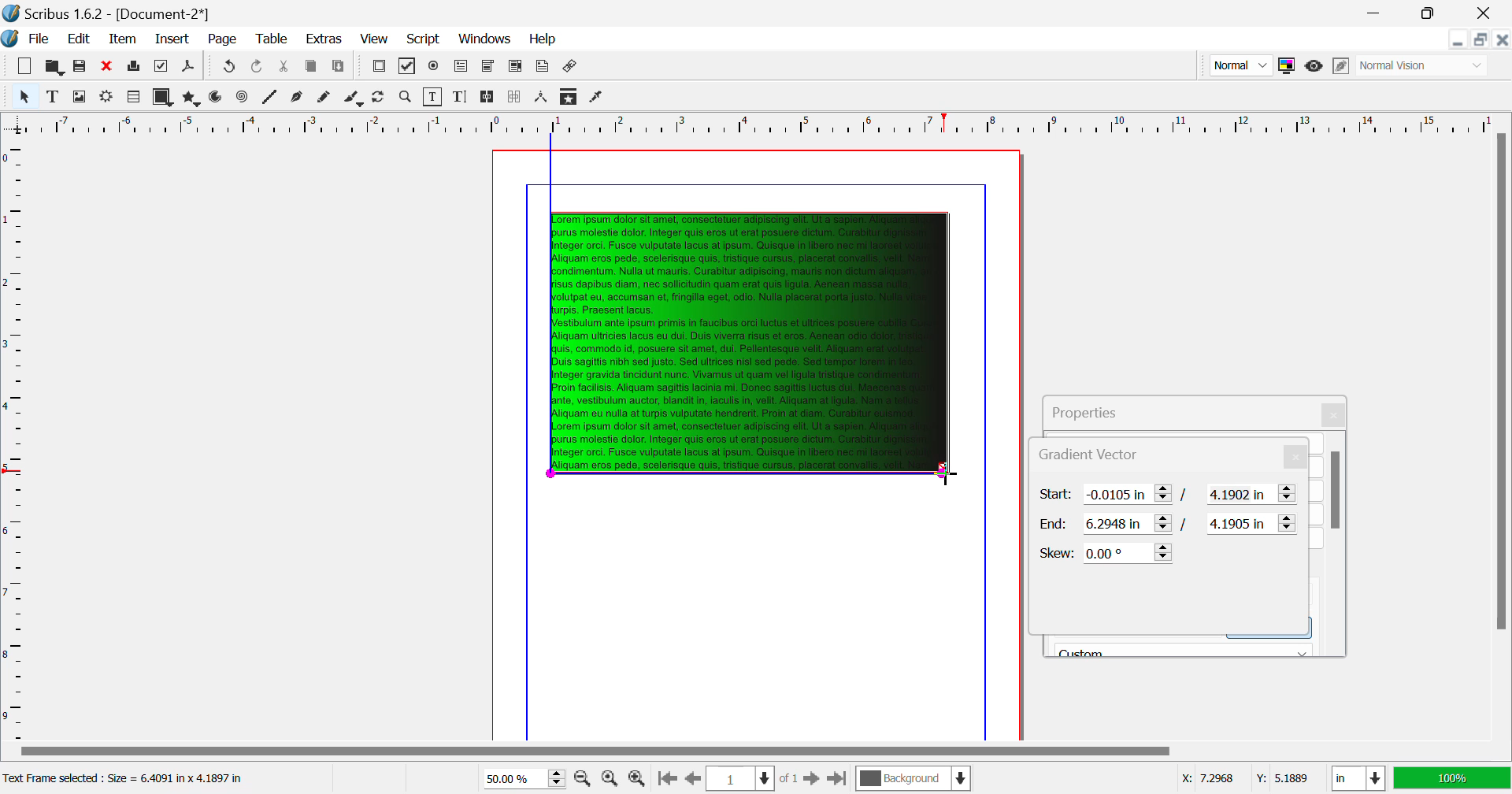 The image size is (1512, 794). What do you see at coordinates (285, 68) in the screenshot?
I see `Cut` at bounding box center [285, 68].